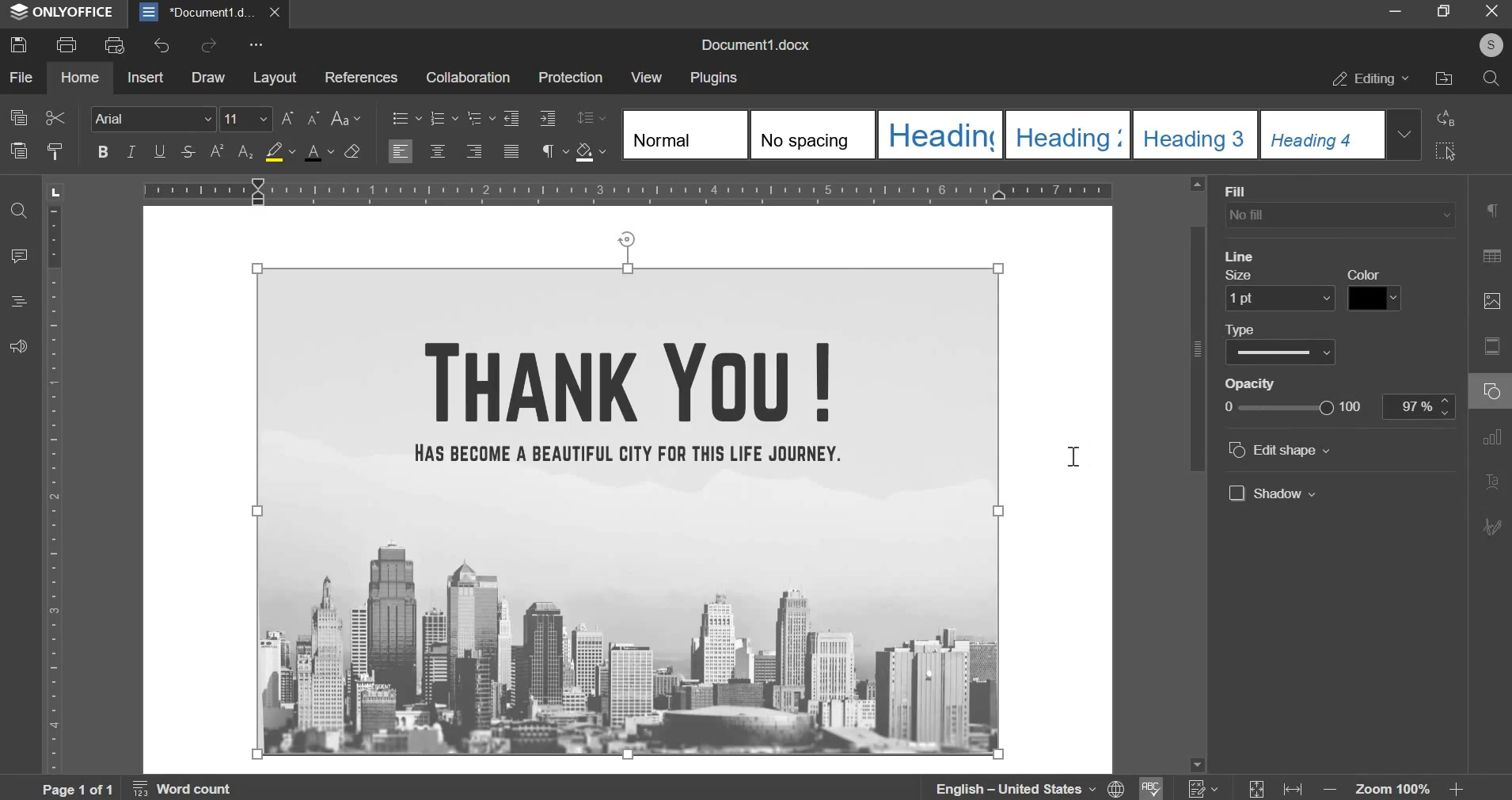 This screenshot has width=1512, height=800. Describe the element at coordinates (1339, 206) in the screenshot. I see `Fill` at that location.